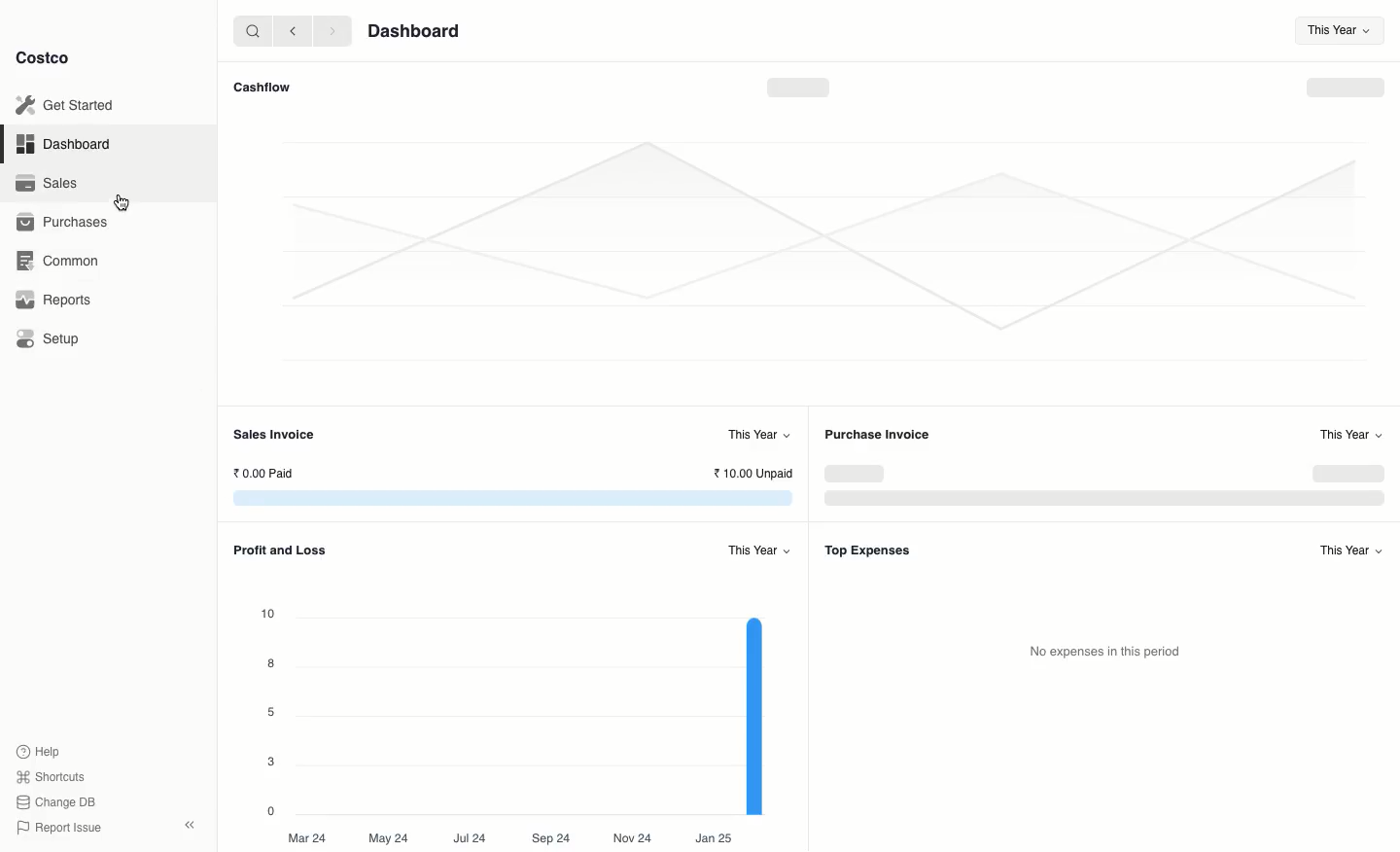  Describe the element at coordinates (470, 835) in the screenshot. I see `Jul24` at that location.